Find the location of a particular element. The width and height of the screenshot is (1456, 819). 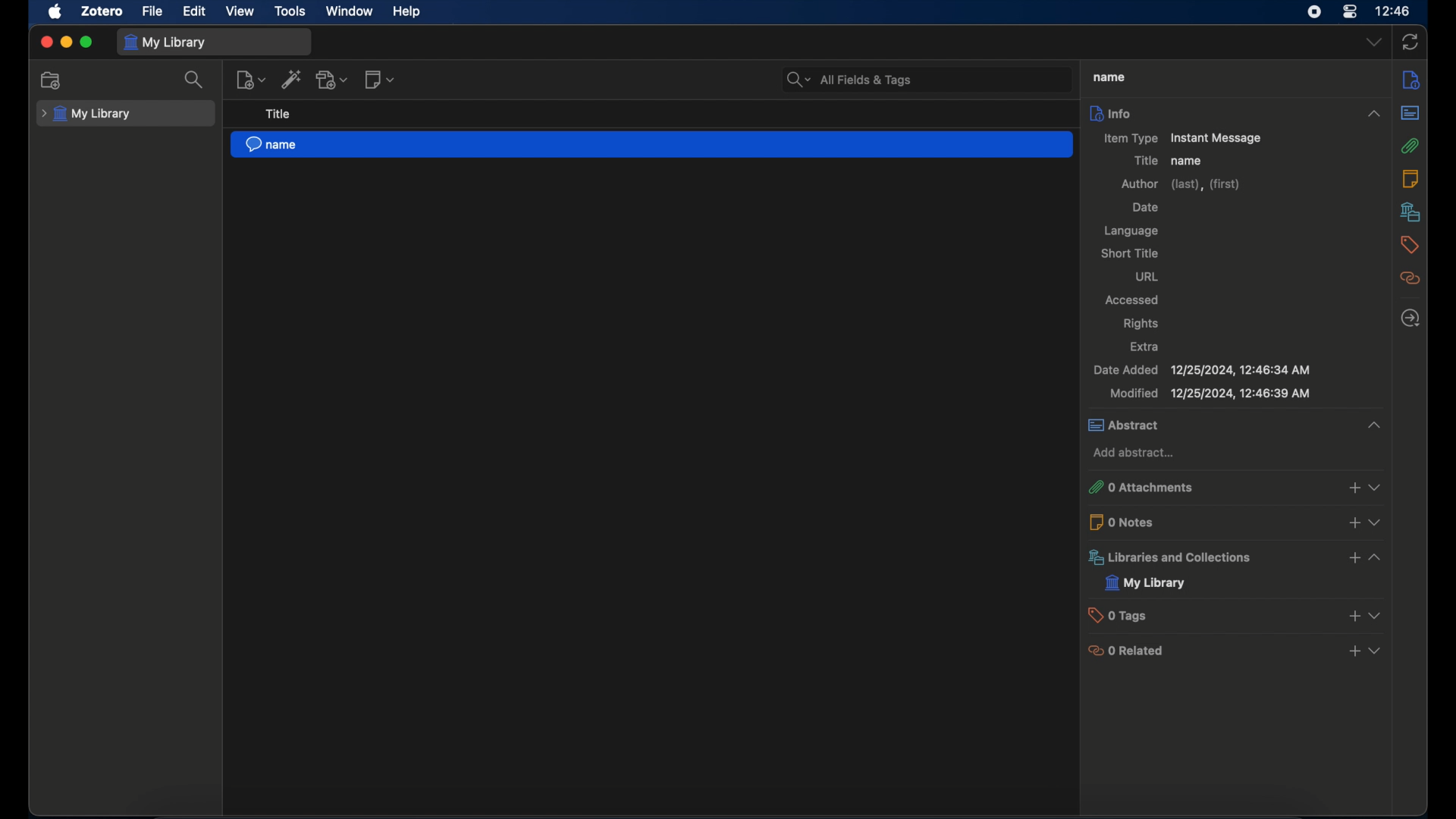

0 related is located at coordinates (1234, 651).